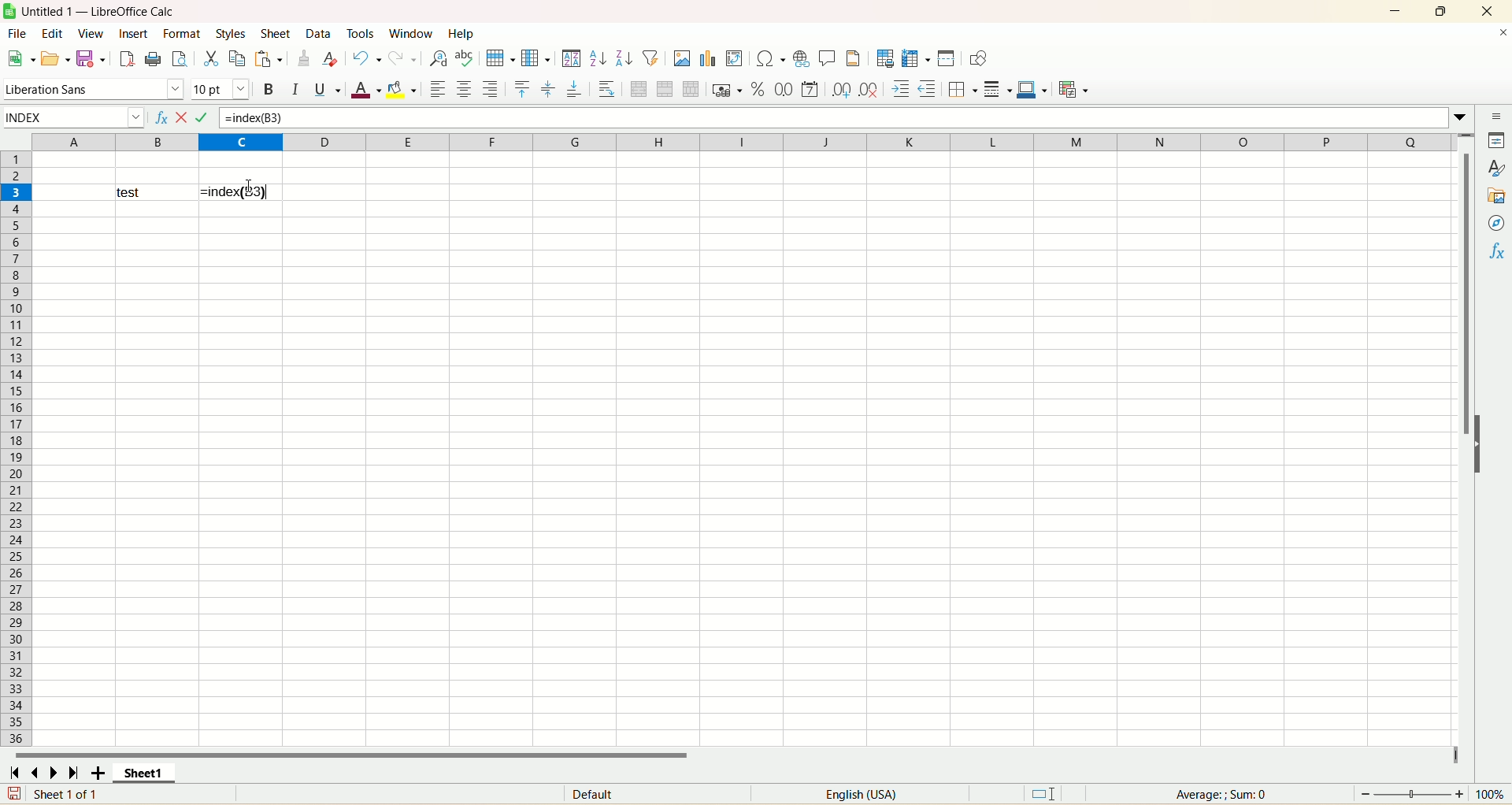 The width and height of the screenshot is (1512, 805). Describe the element at coordinates (270, 89) in the screenshot. I see `bold` at that location.